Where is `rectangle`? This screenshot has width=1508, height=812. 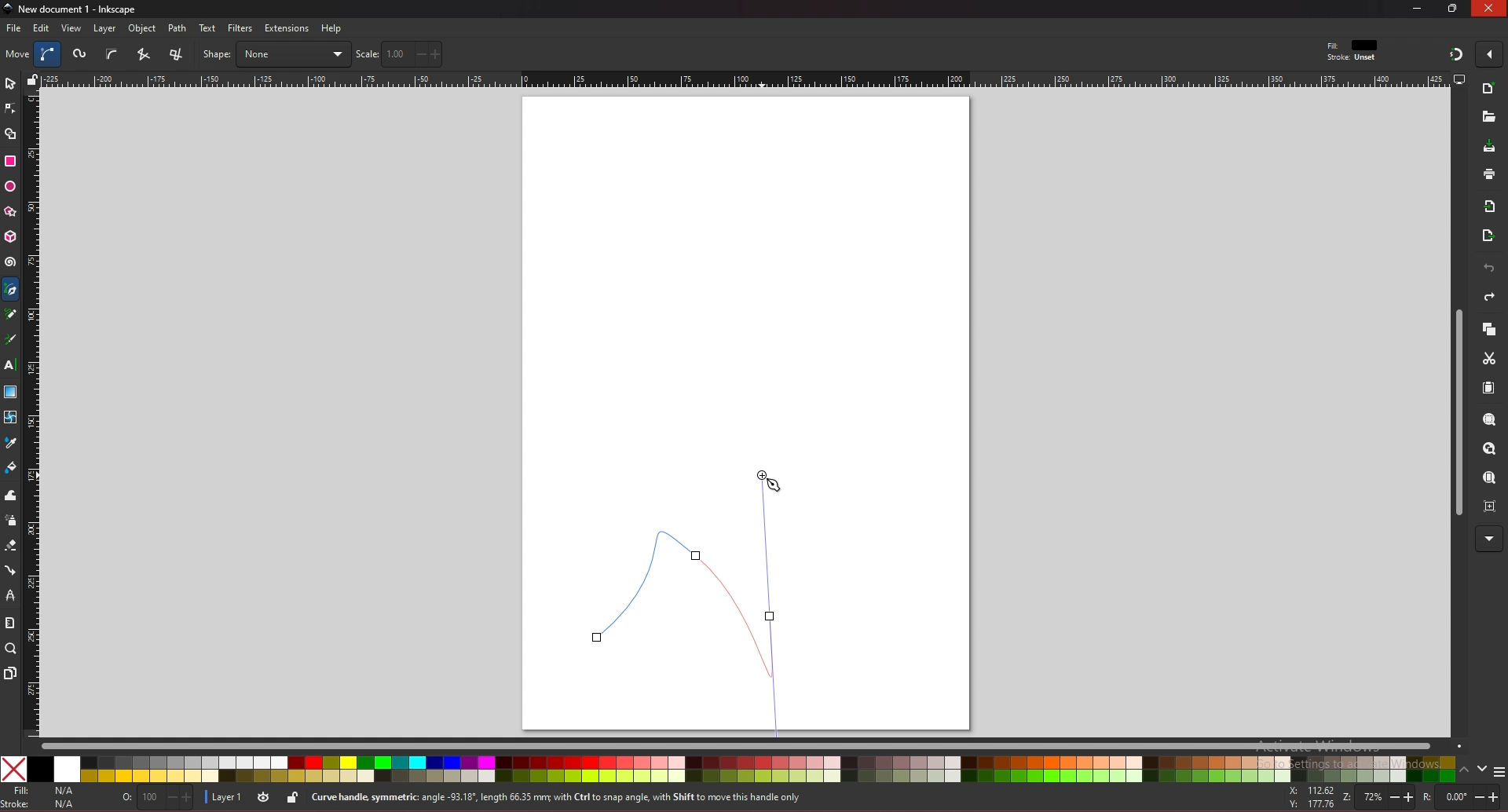
rectangle is located at coordinates (9, 161).